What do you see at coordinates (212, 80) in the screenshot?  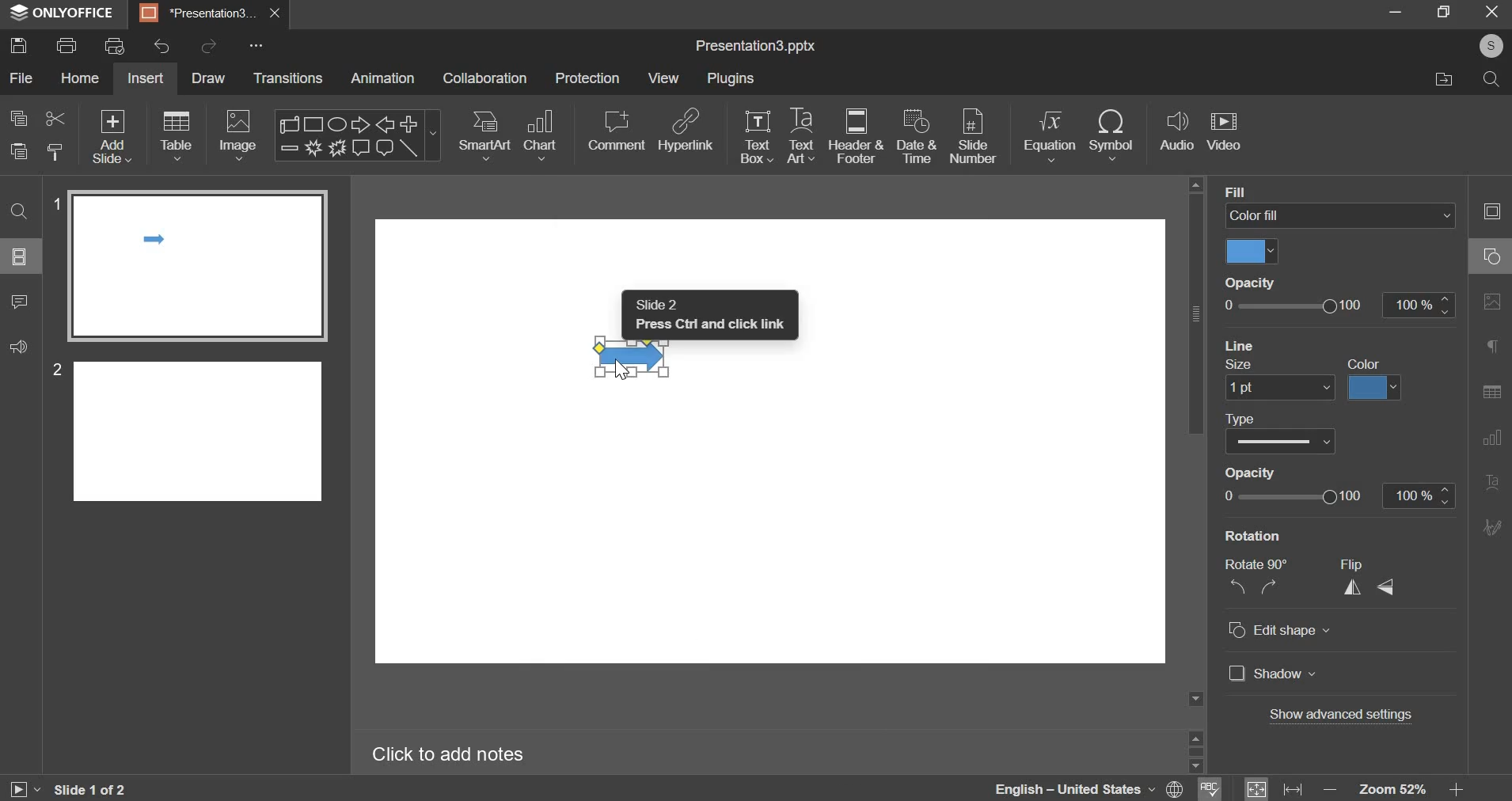 I see `draw` at bounding box center [212, 80].